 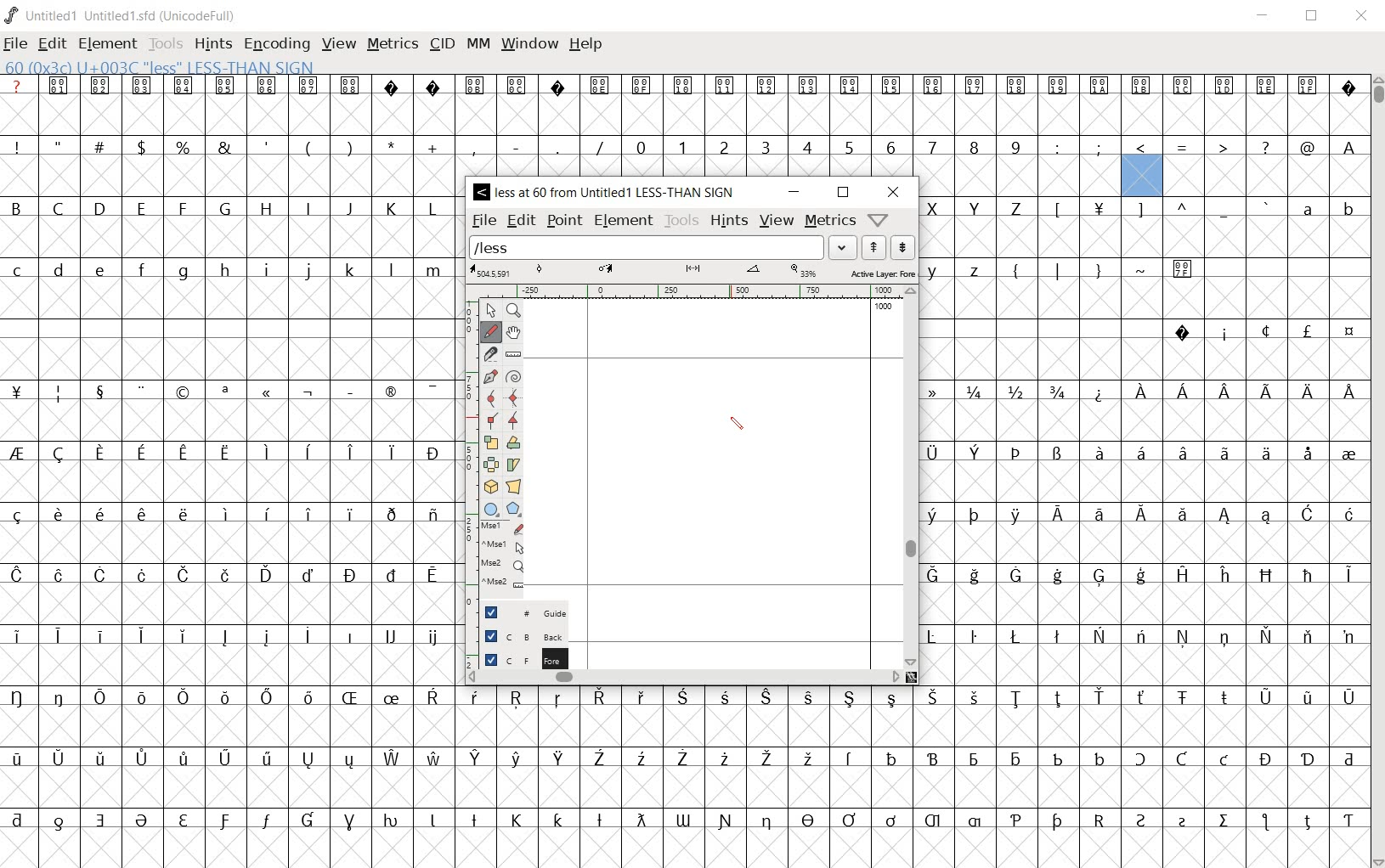 I want to click on empty cells, so click(x=1262, y=176).